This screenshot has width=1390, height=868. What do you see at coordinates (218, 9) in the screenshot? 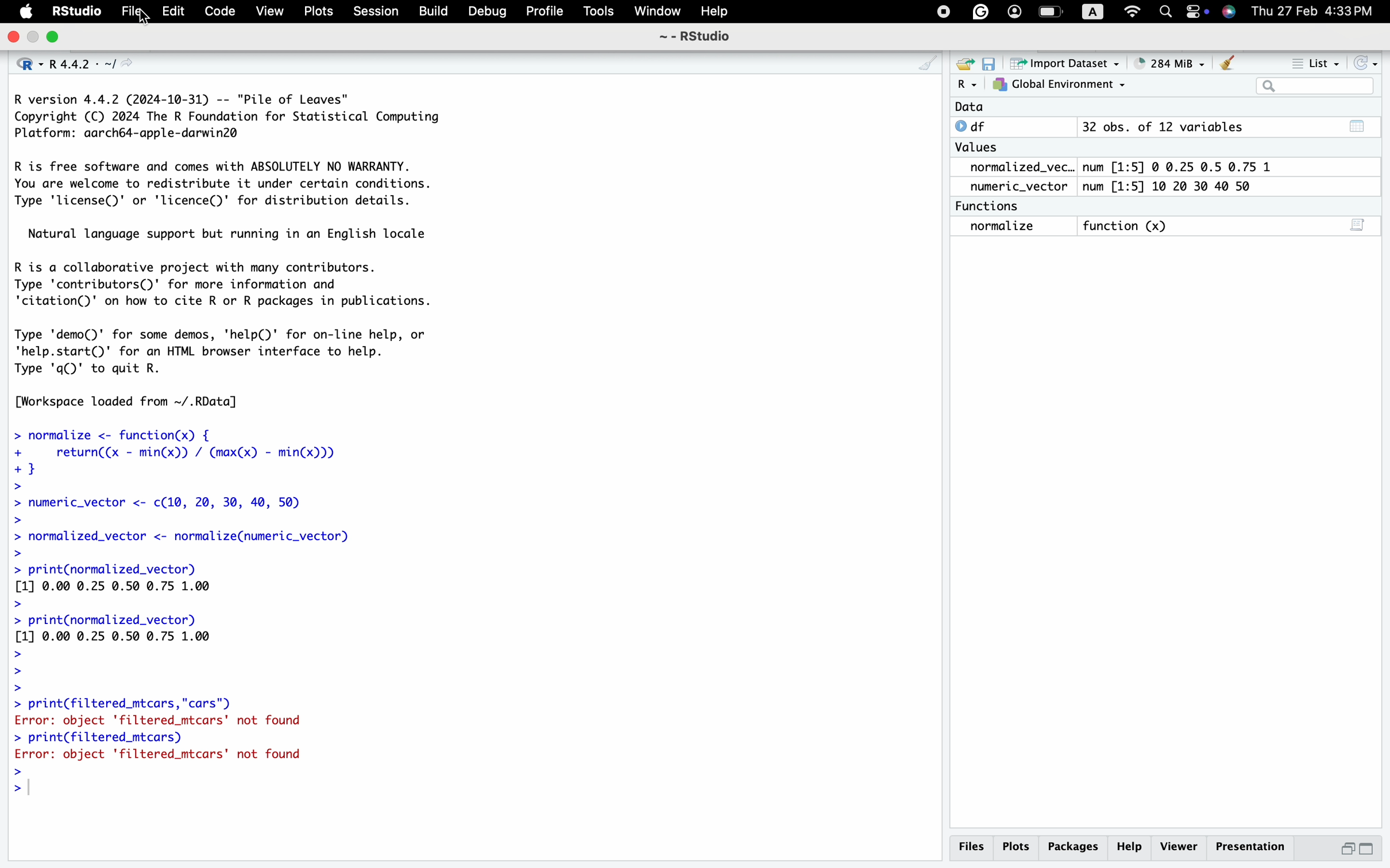
I see `Code` at bounding box center [218, 9].